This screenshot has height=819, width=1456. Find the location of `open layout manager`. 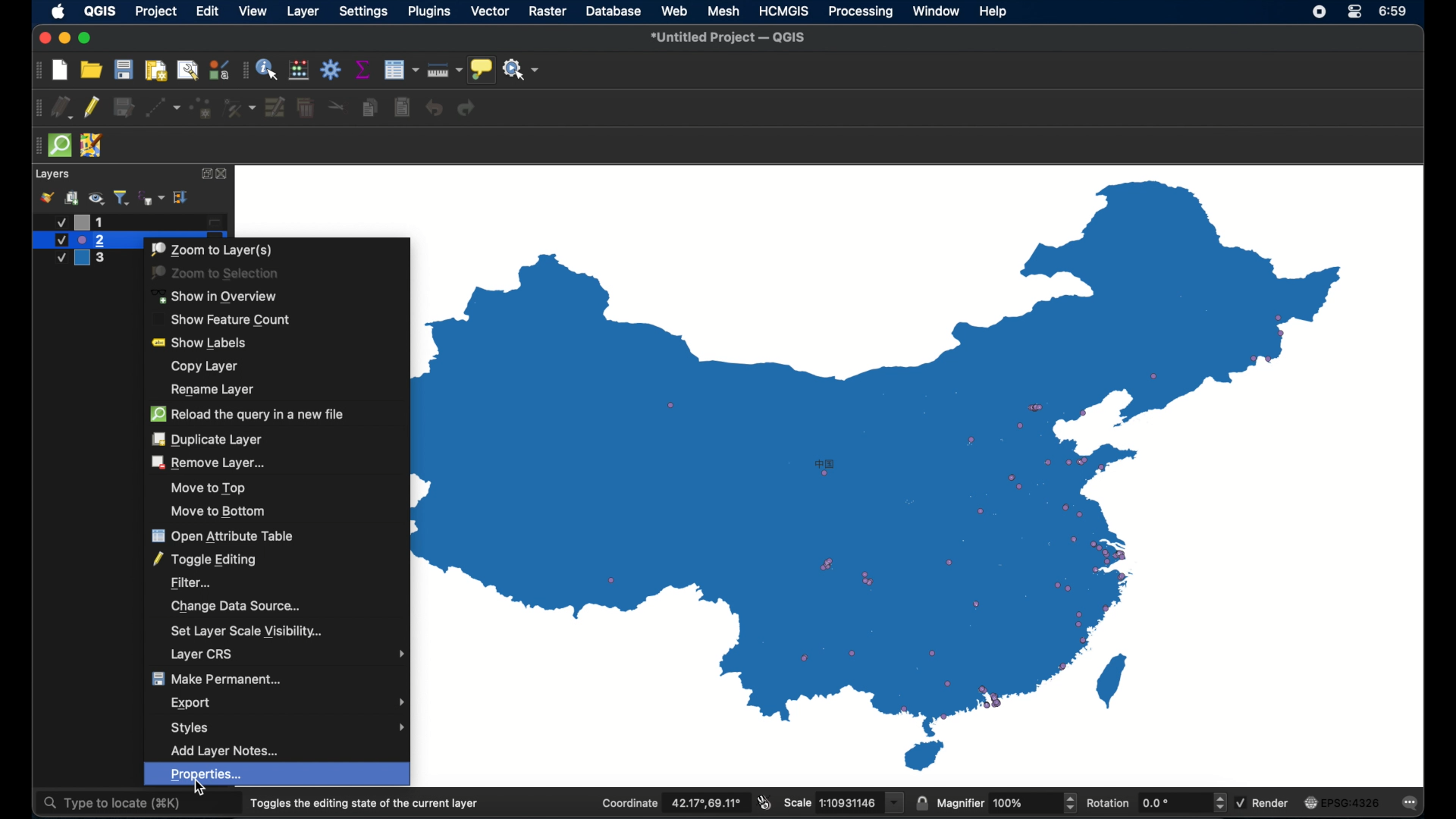

open layout manager is located at coordinates (187, 71).